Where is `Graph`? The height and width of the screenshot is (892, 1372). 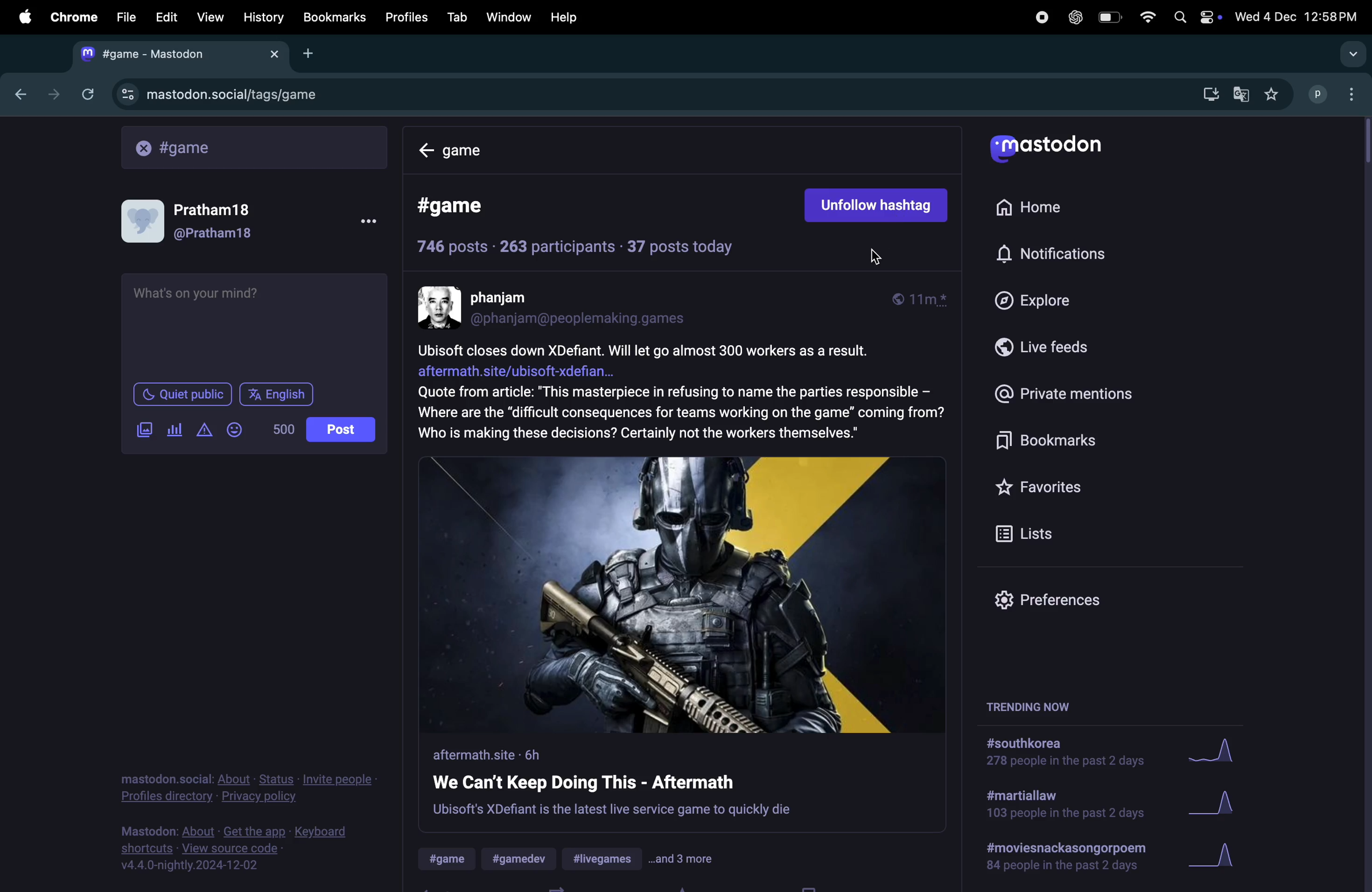 Graph is located at coordinates (1215, 803).